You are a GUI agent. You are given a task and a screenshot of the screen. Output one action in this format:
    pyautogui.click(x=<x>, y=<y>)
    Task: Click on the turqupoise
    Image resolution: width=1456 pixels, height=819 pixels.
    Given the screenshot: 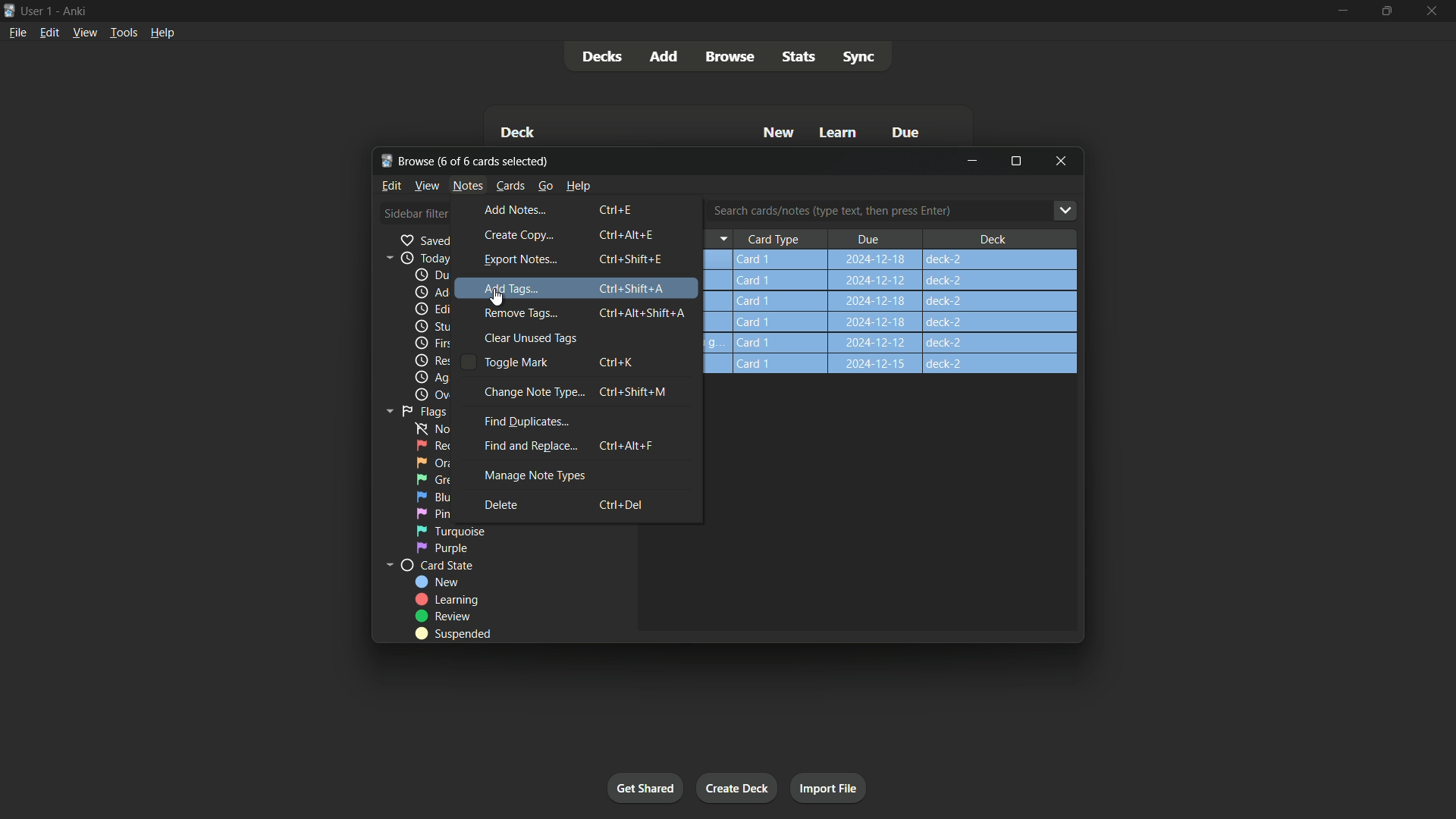 What is the action you would take?
    pyautogui.click(x=451, y=529)
    